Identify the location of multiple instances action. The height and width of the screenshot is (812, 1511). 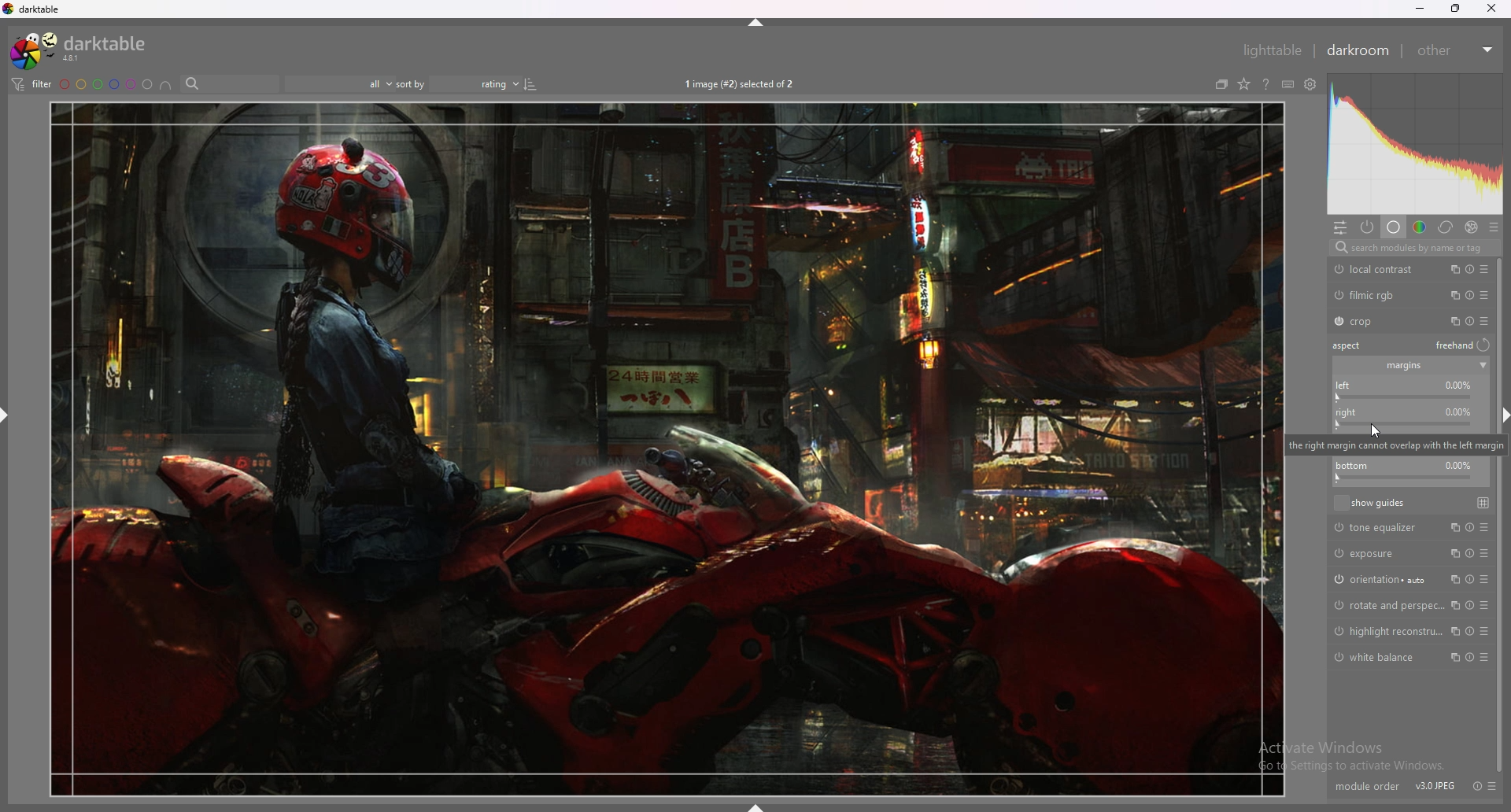
(1451, 526).